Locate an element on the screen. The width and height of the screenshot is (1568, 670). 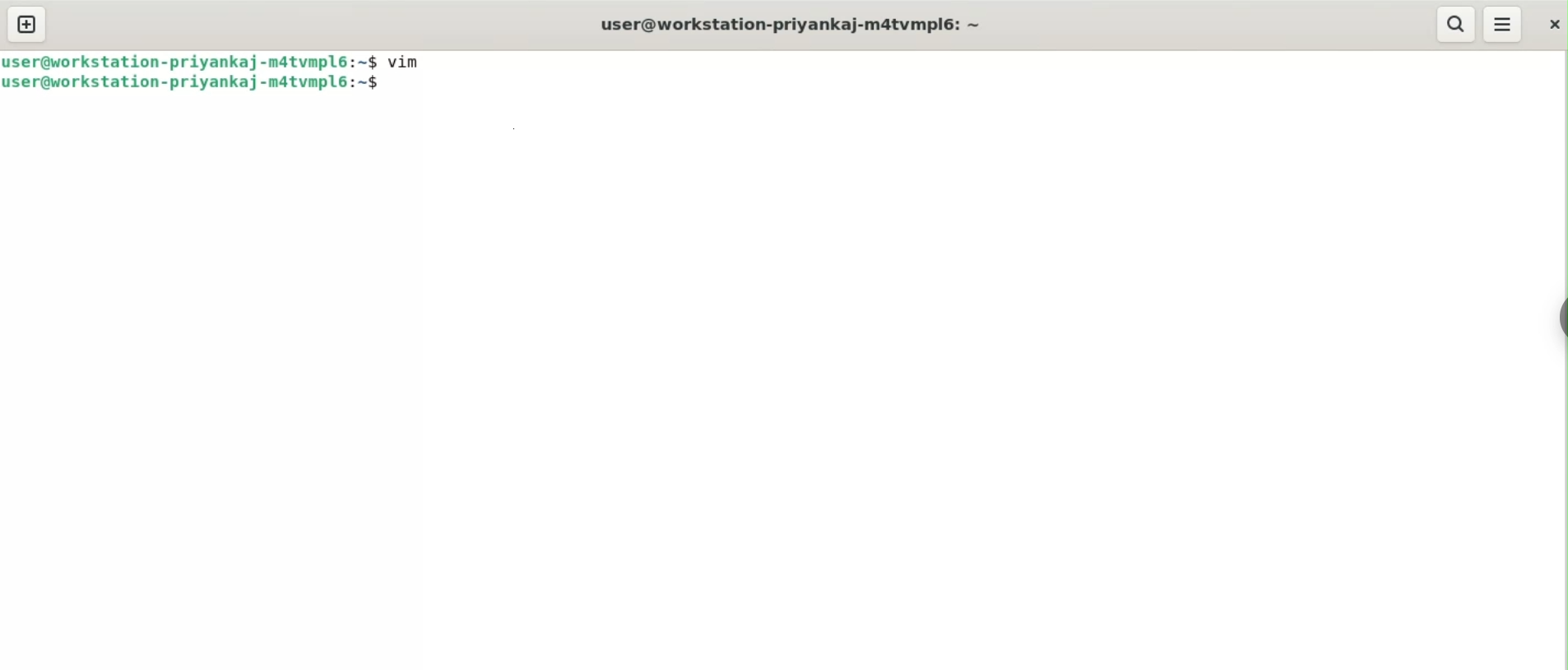
vim is located at coordinates (410, 61).